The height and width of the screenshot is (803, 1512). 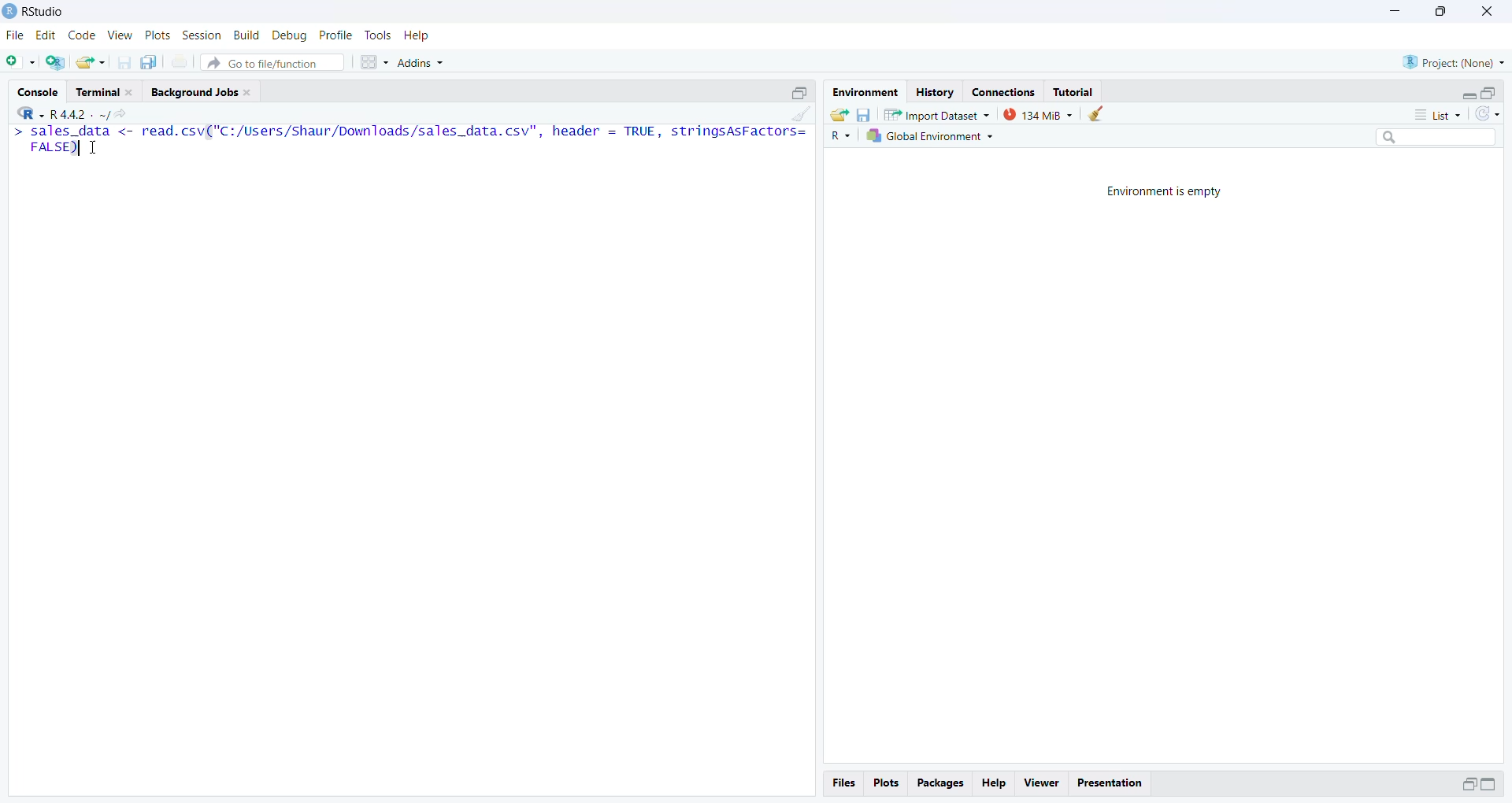 What do you see at coordinates (290, 37) in the screenshot?
I see `Debug` at bounding box center [290, 37].